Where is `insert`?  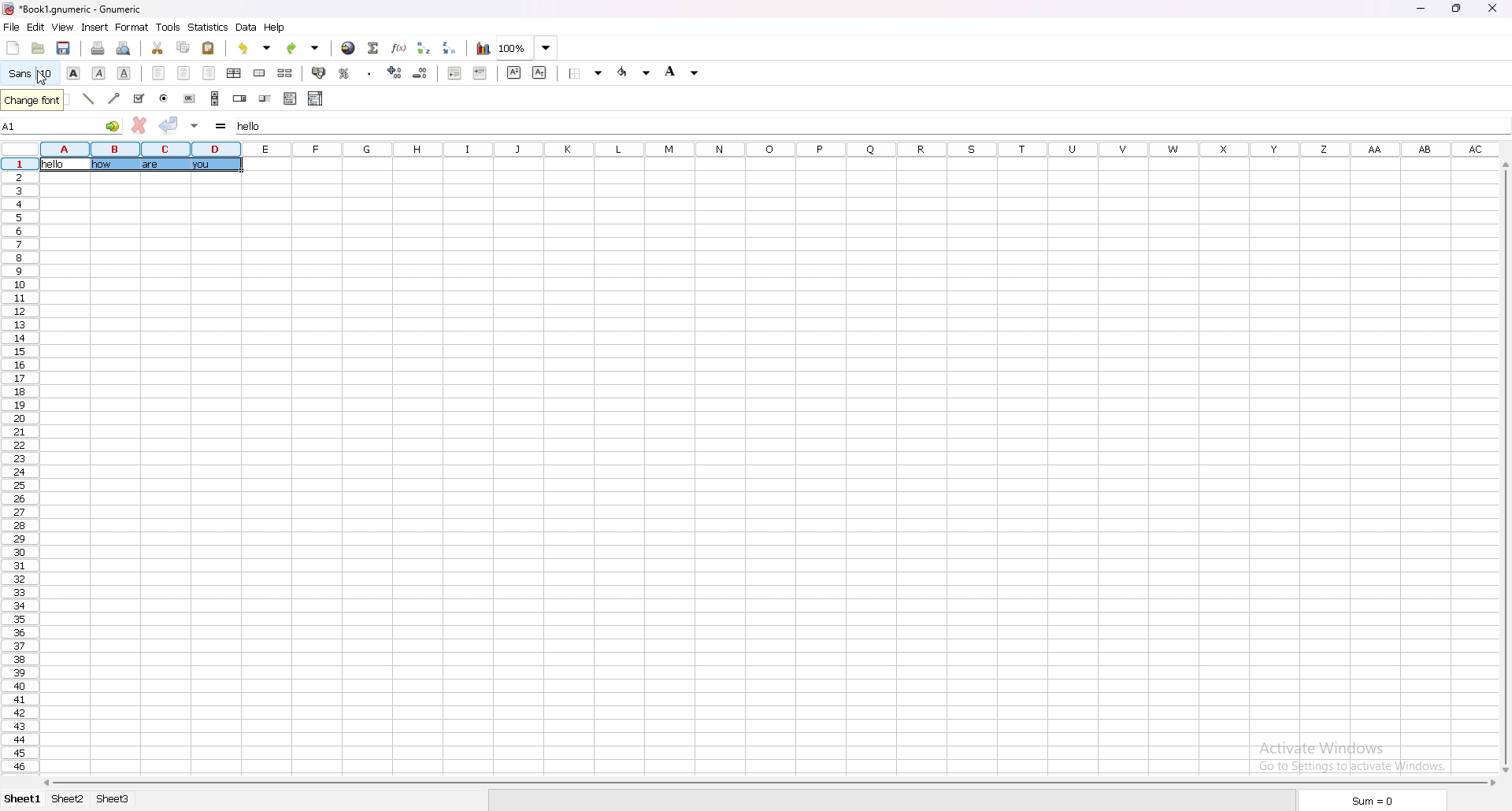 insert is located at coordinates (96, 26).